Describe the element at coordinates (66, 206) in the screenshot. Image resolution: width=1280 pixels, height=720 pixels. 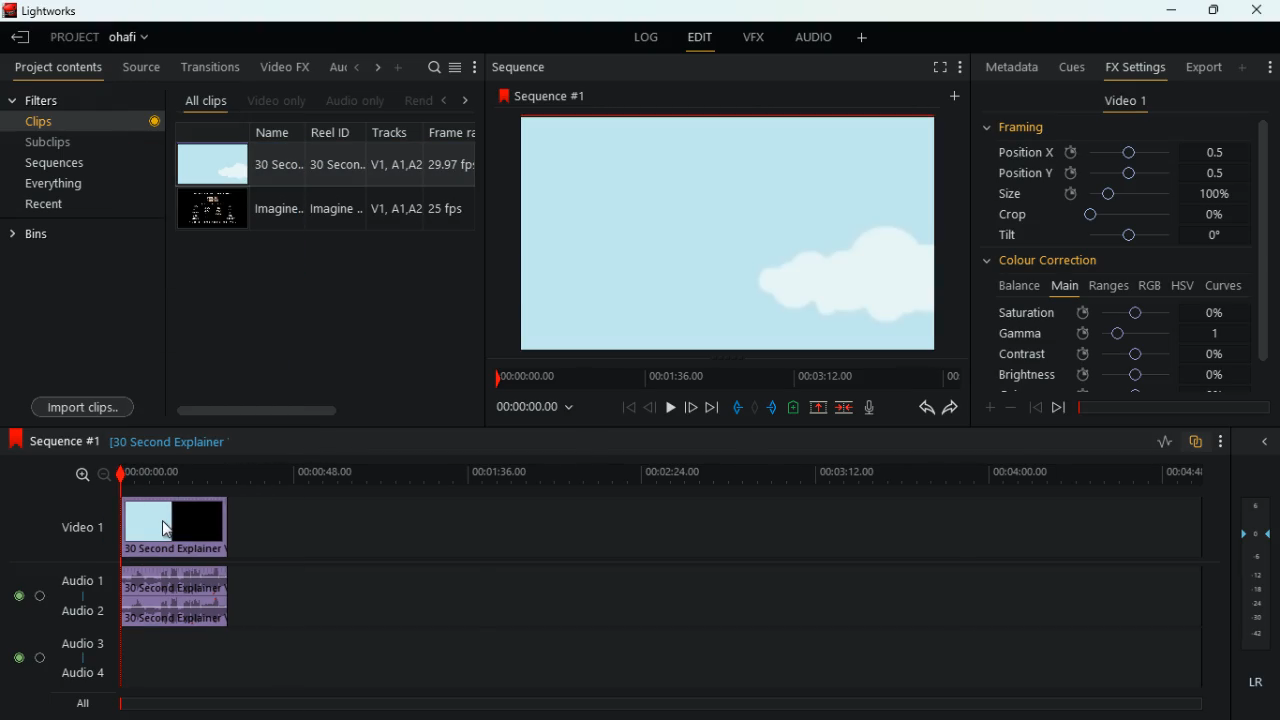
I see `recent` at that location.